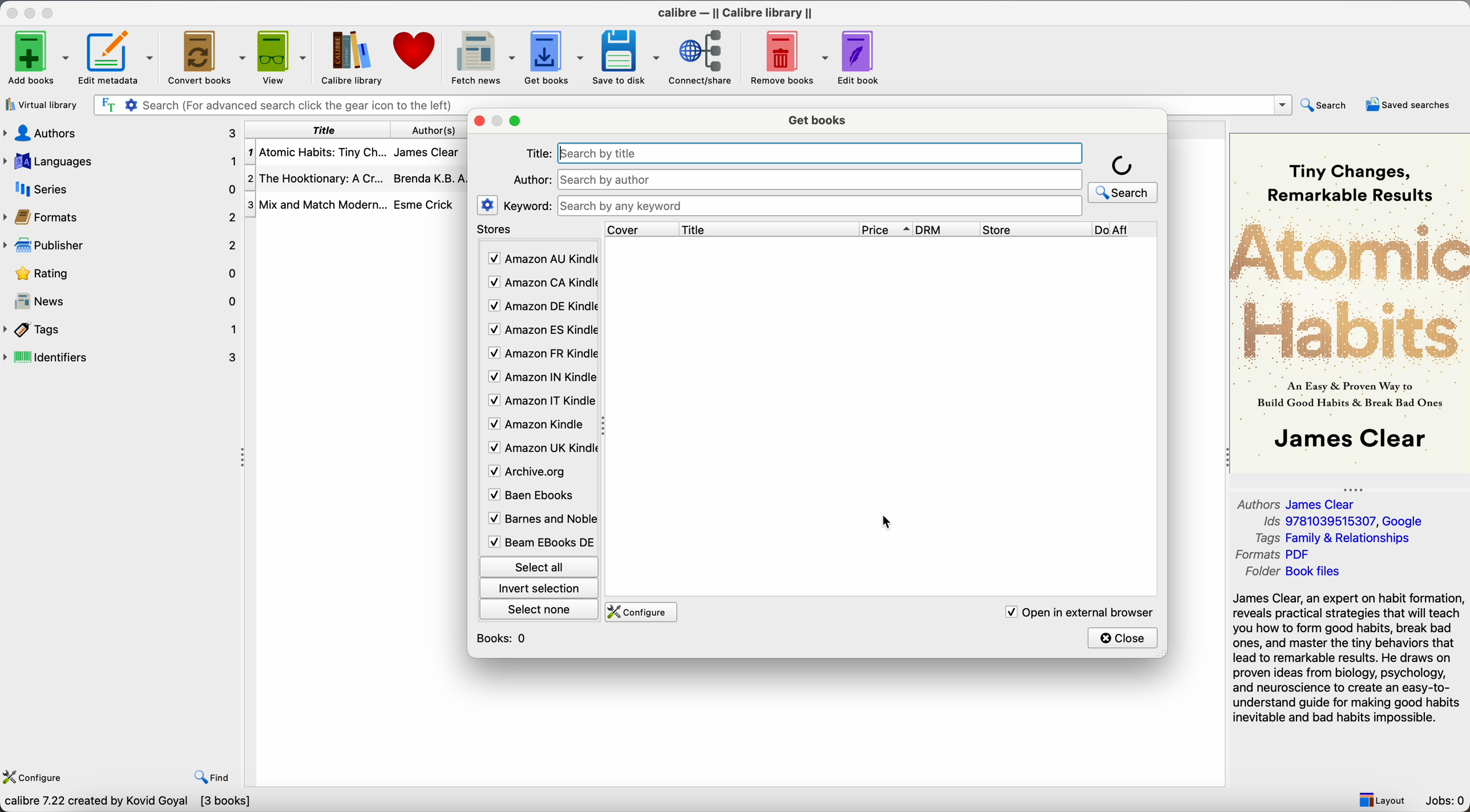 The width and height of the screenshot is (1470, 812). Describe the element at coordinates (541, 282) in the screenshot. I see `Amazon CA Kindle` at that location.